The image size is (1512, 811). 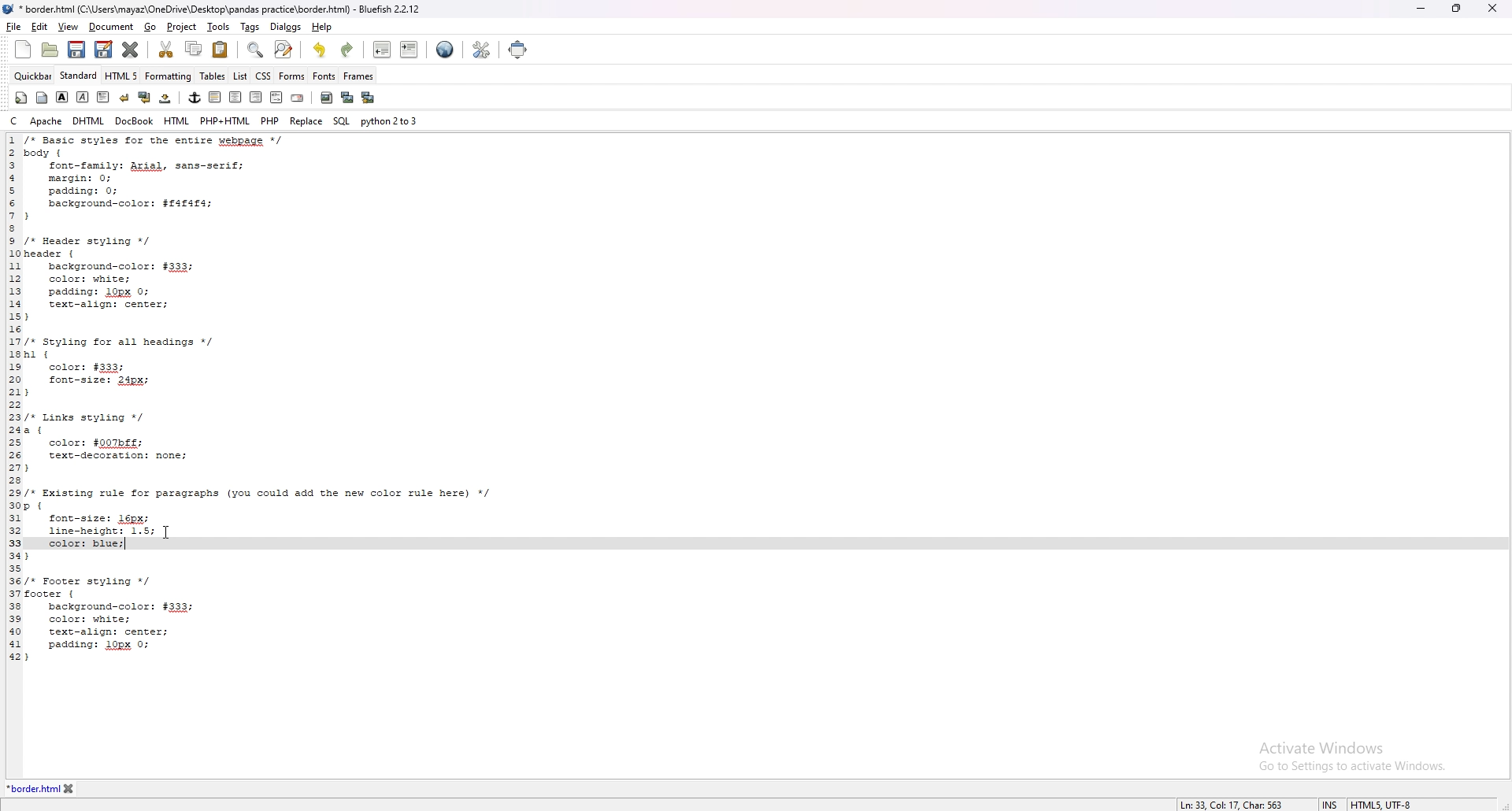 I want to click on open, so click(x=50, y=50).